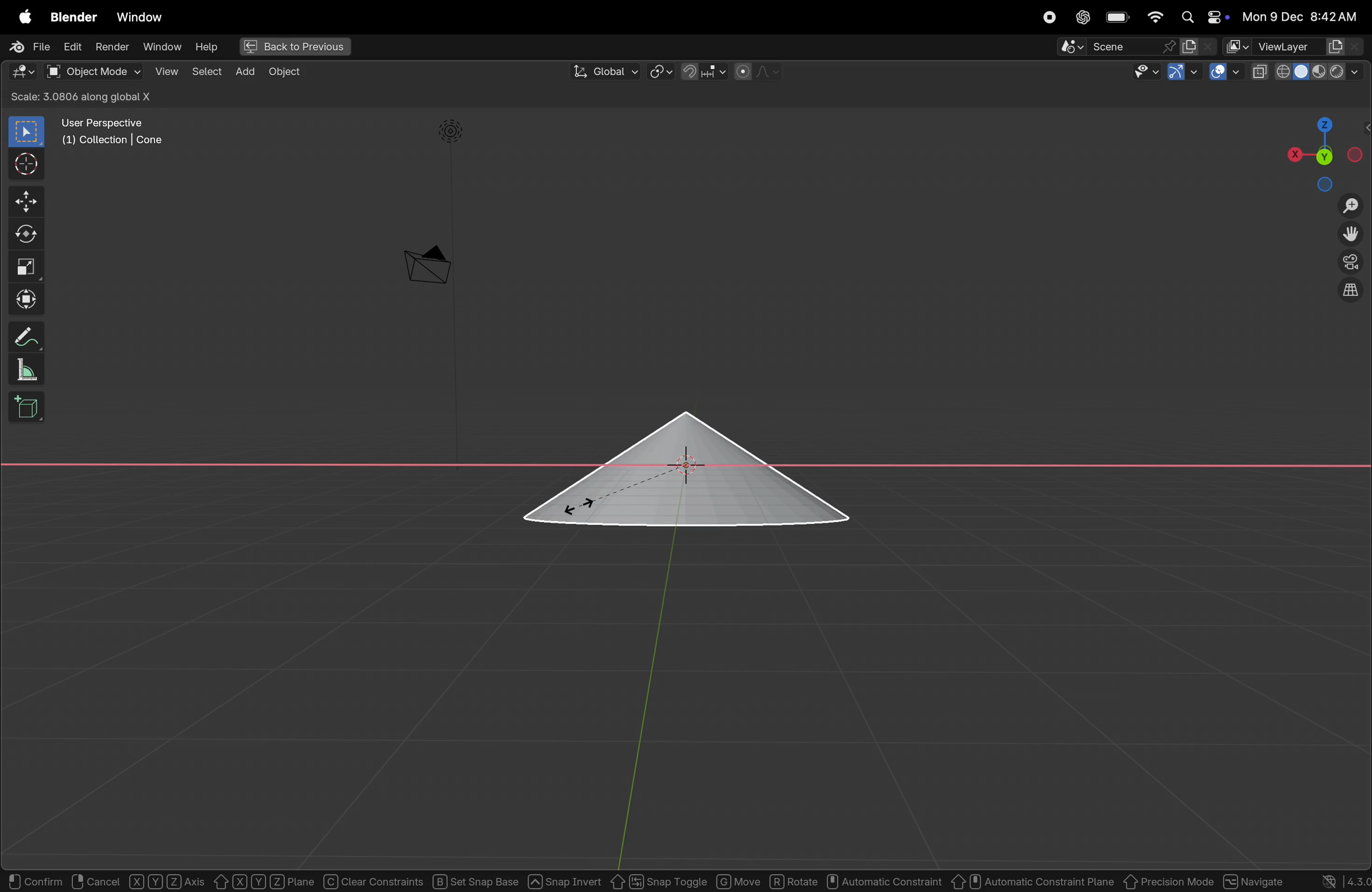 The width and height of the screenshot is (1372, 892). What do you see at coordinates (28, 132) in the screenshot?
I see `select box` at bounding box center [28, 132].